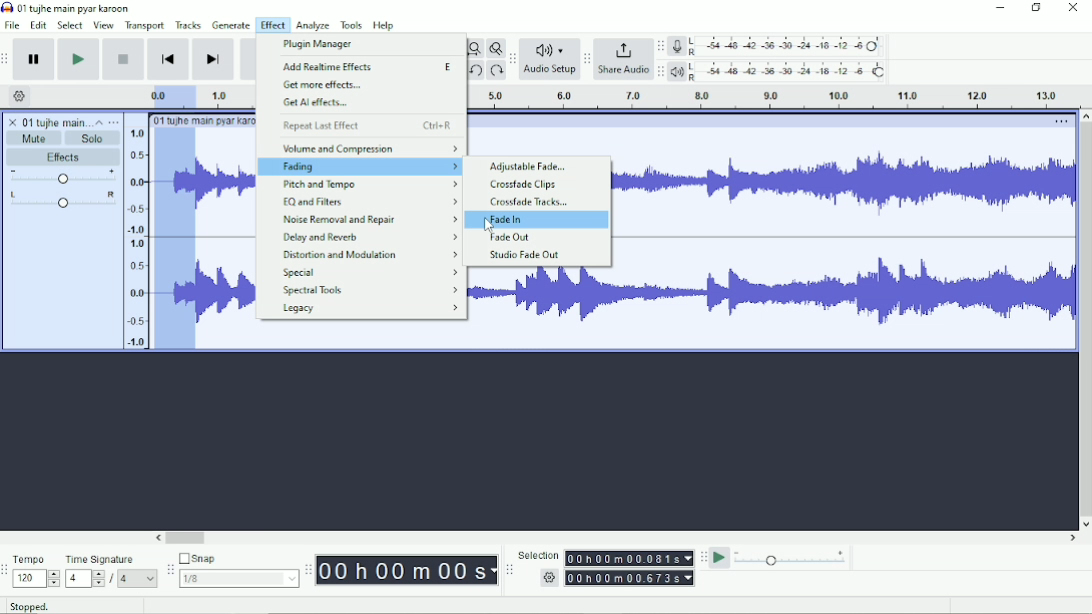 Image resolution: width=1092 pixels, height=614 pixels. I want to click on Volume, so click(63, 178).